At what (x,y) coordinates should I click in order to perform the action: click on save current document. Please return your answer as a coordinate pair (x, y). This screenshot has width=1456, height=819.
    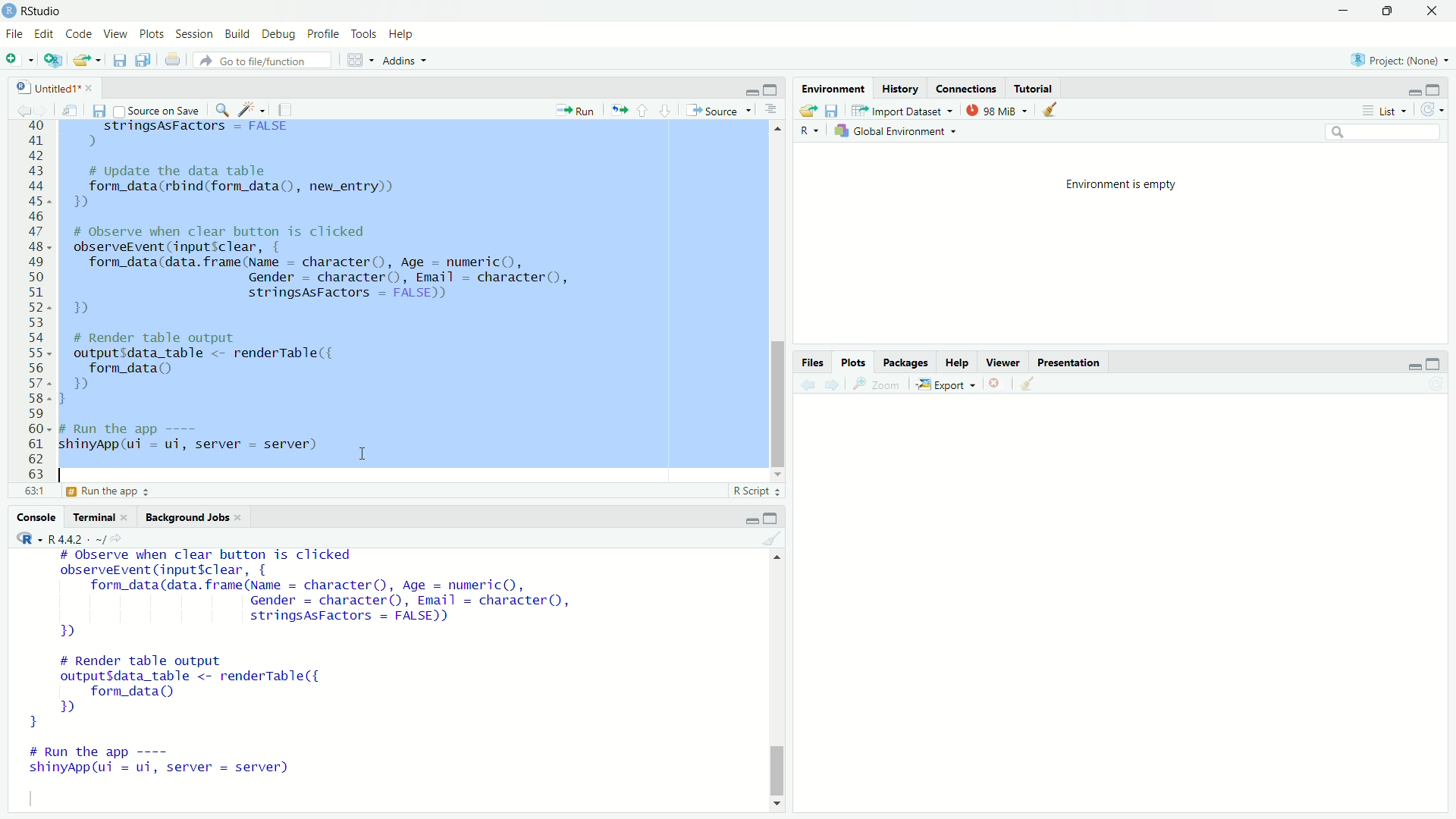
    Looking at the image, I should click on (98, 109).